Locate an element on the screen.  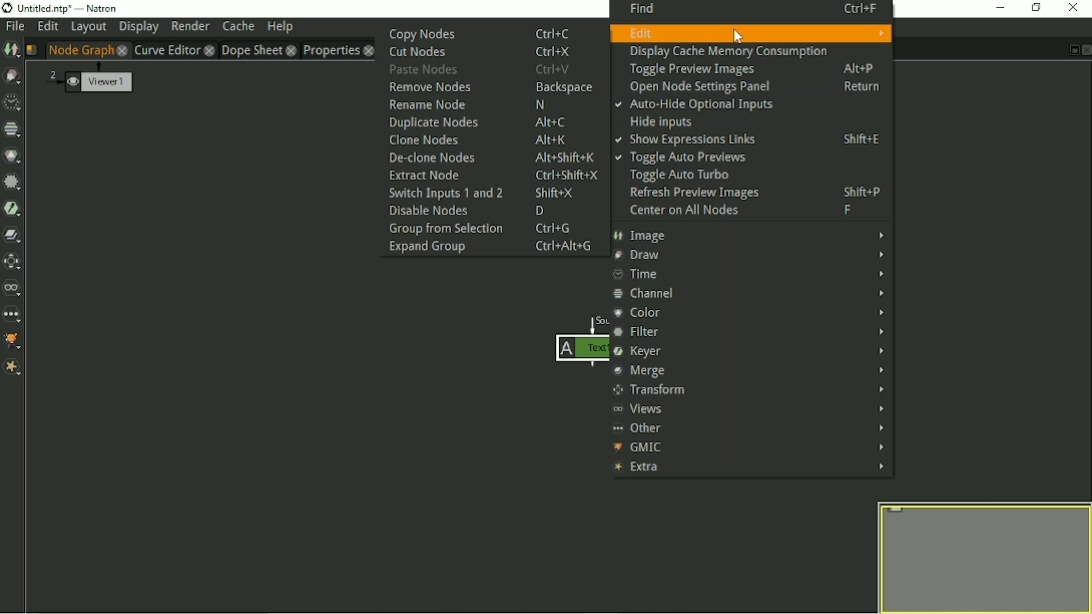
Image is located at coordinates (11, 50).